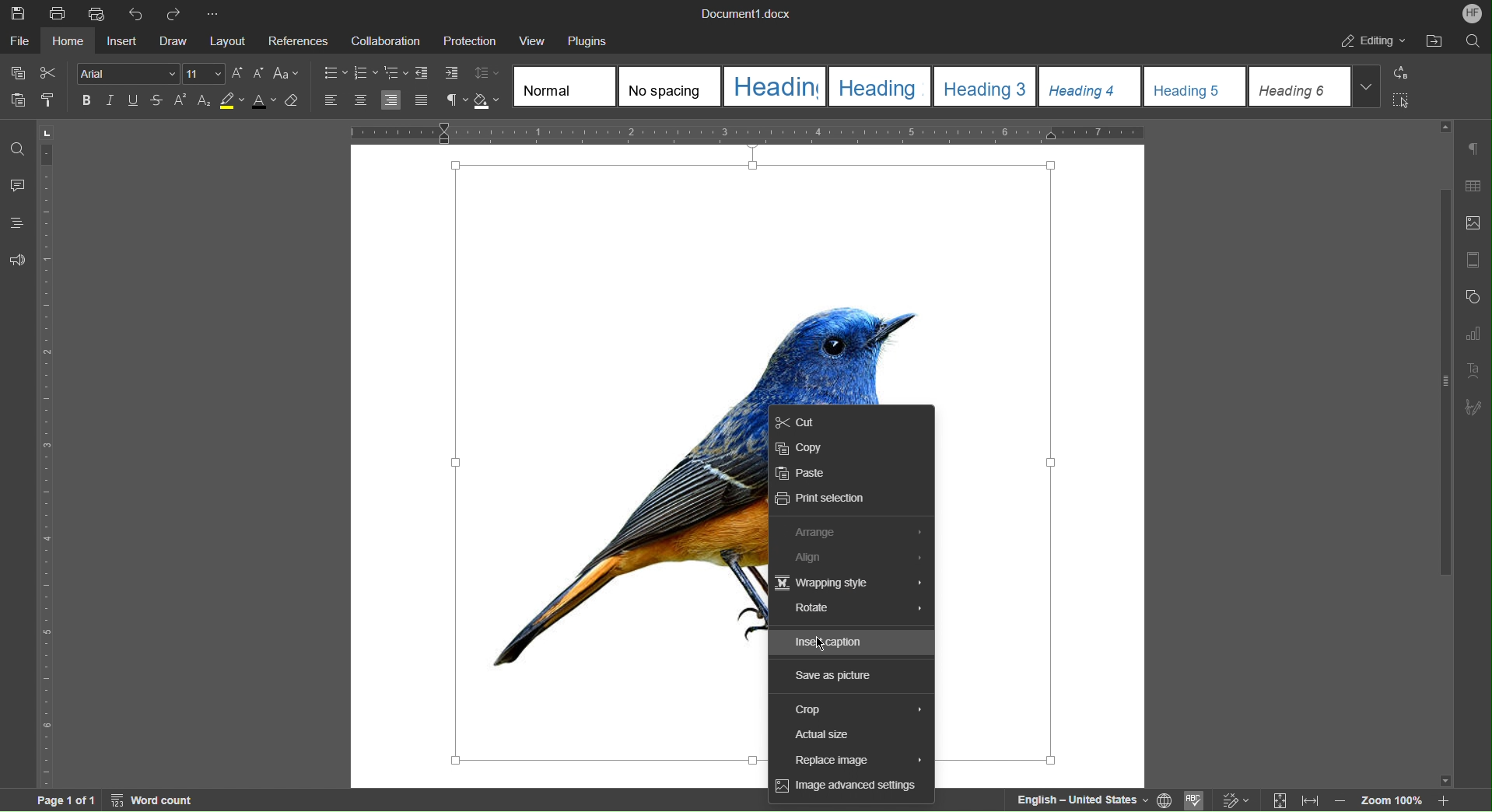 Image resolution: width=1492 pixels, height=812 pixels. Describe the element at coordinates (1280, 800) in the screenshot. I see `Fit to page` at that location.